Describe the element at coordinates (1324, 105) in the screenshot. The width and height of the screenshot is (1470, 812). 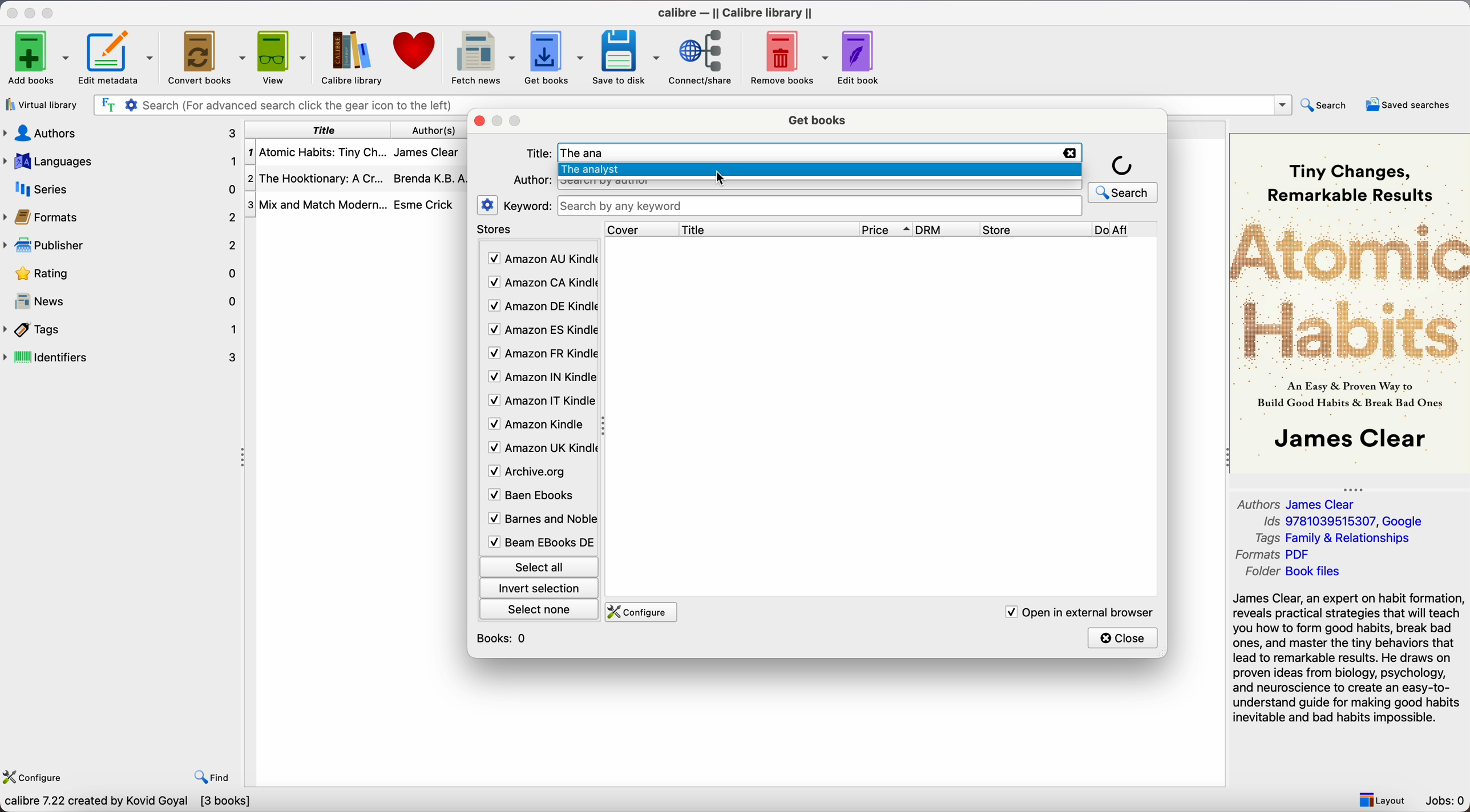
I see `search` at that location.